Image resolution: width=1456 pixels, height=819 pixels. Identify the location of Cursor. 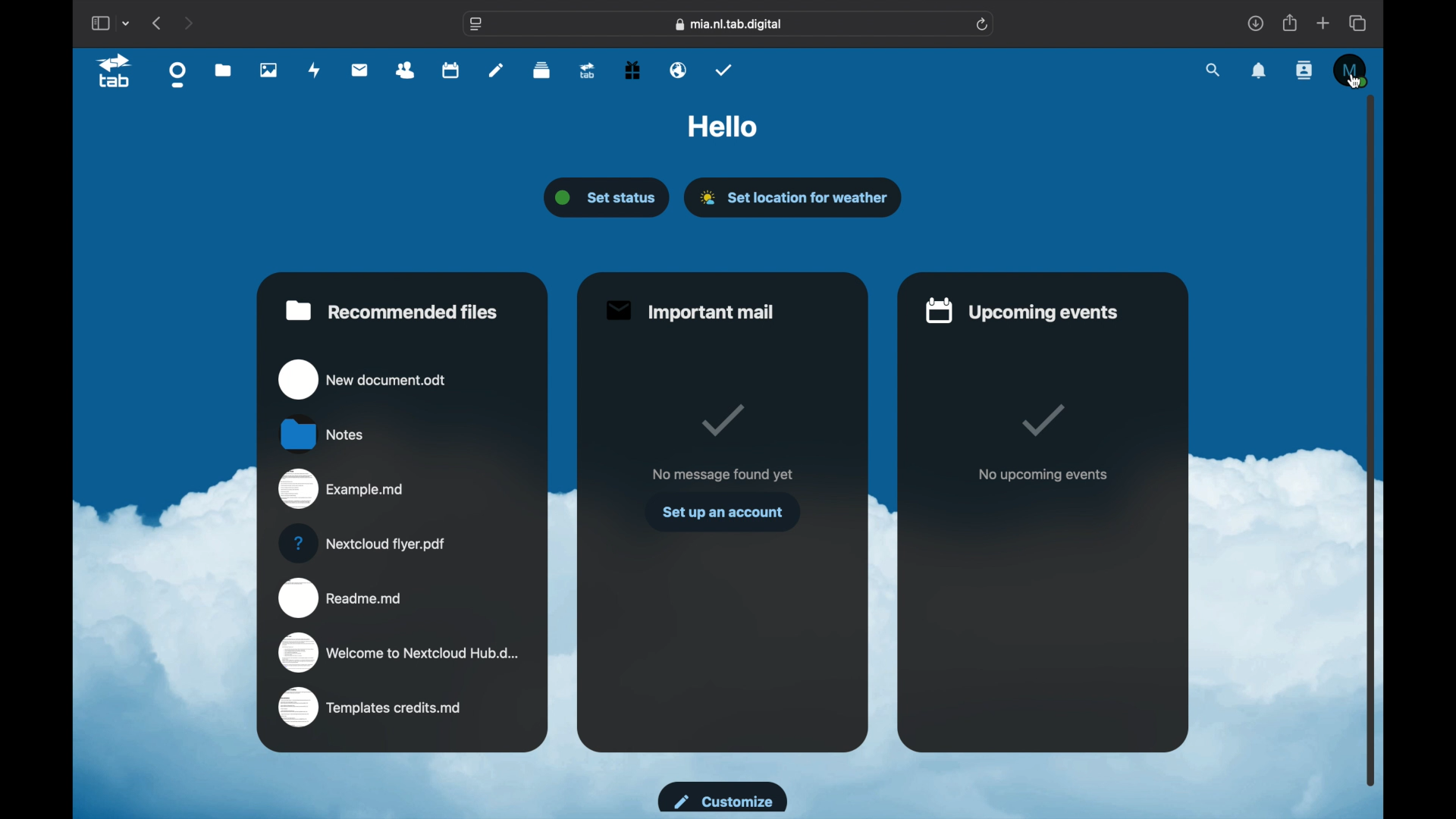
(1354, 79).